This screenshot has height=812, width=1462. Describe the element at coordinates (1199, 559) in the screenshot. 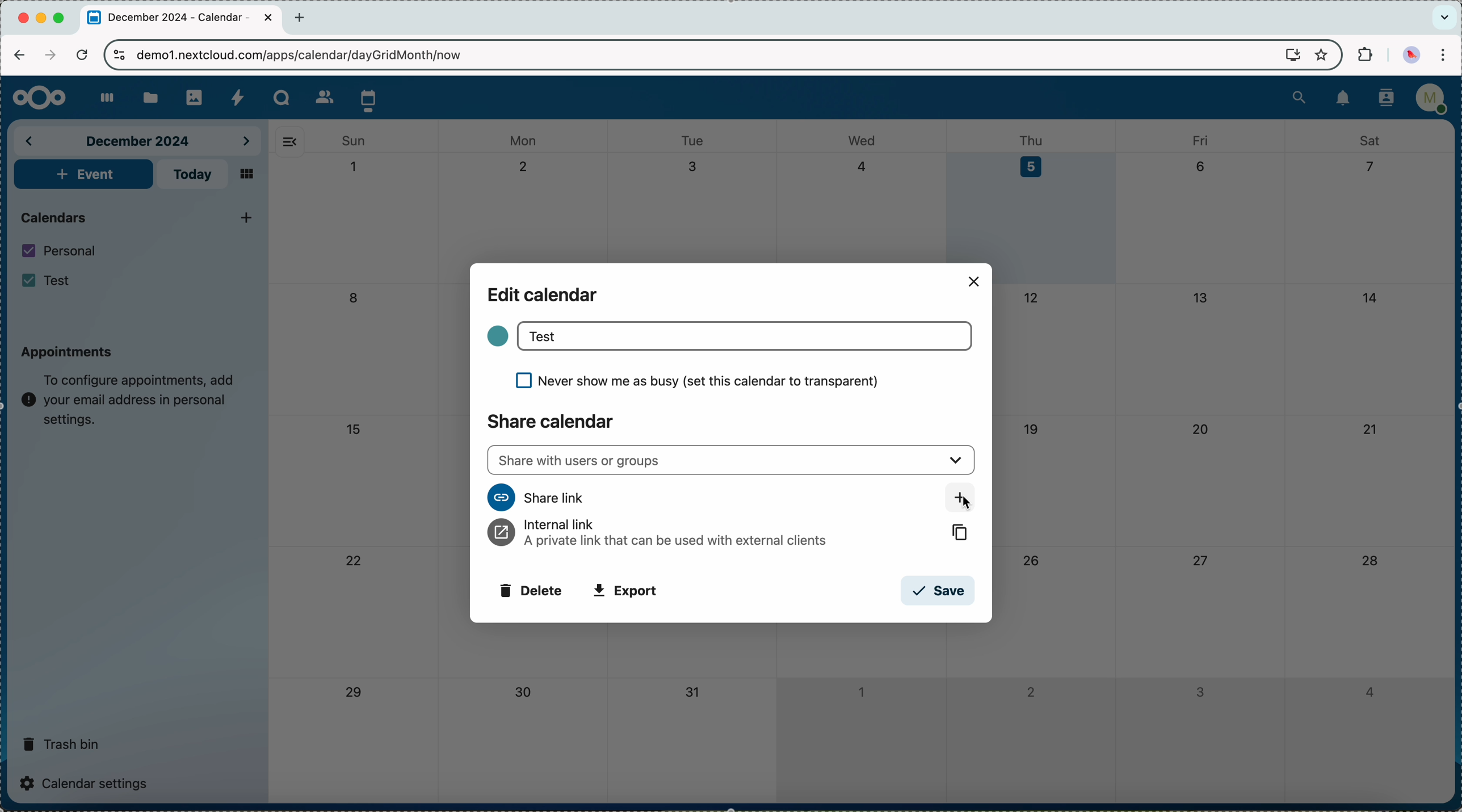

I see `27` at that location.